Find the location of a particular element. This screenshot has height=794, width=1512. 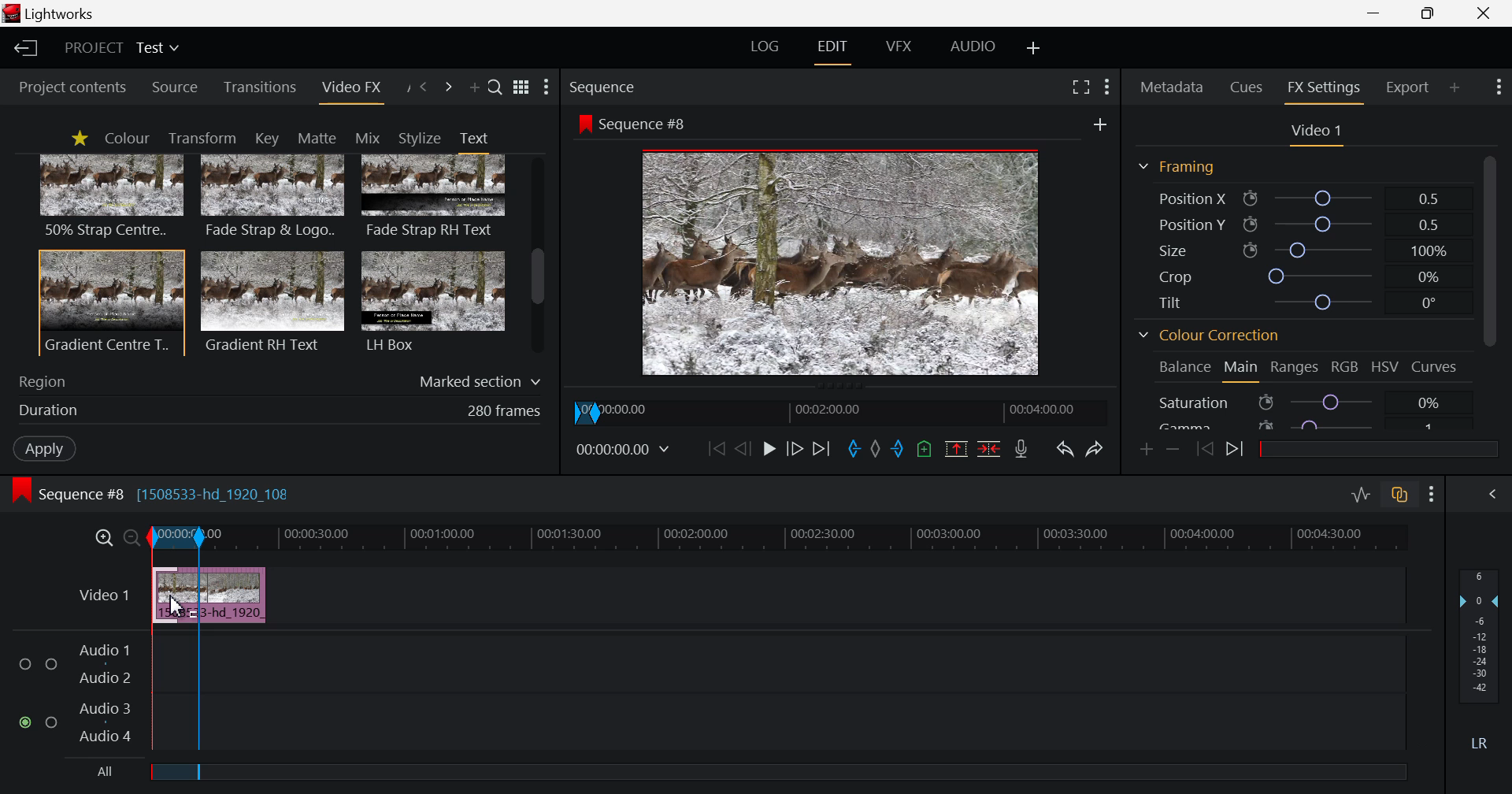

LOG Layout is located at coordinates (767, 49).